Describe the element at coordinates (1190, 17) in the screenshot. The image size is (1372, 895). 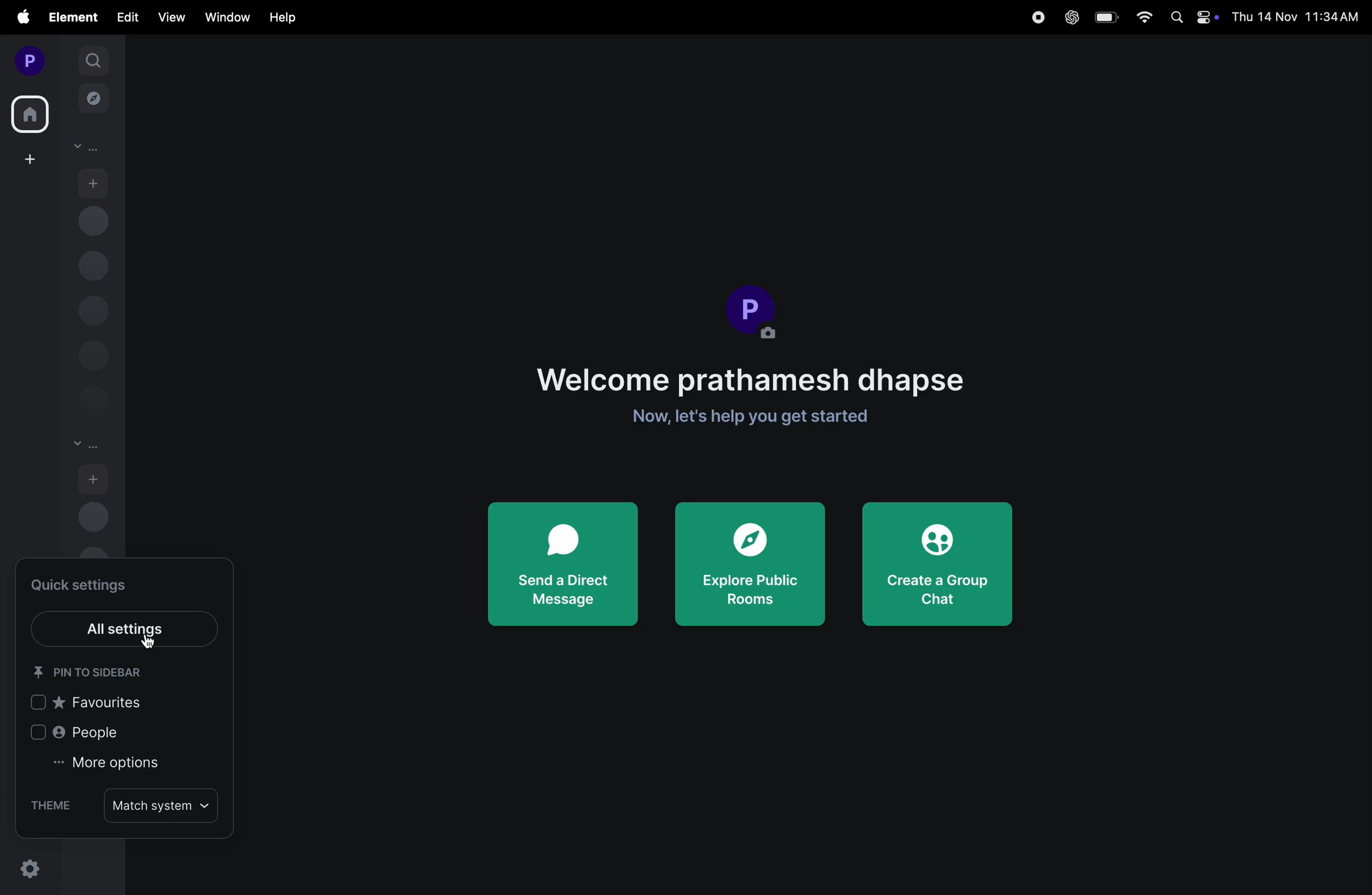
I see `apple widgets` at that location.